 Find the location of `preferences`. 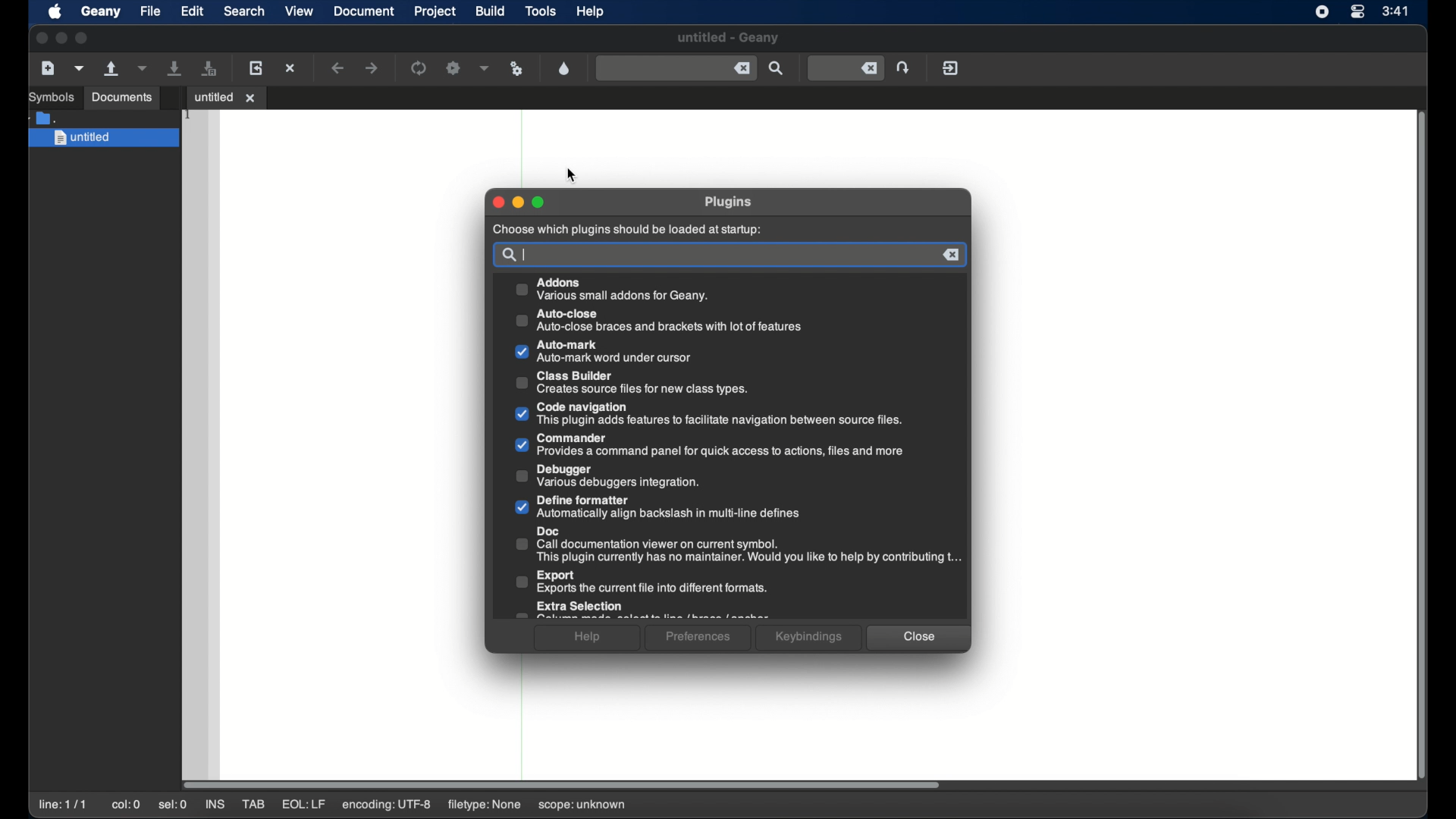

preferences is located at coordinates (698, 638).